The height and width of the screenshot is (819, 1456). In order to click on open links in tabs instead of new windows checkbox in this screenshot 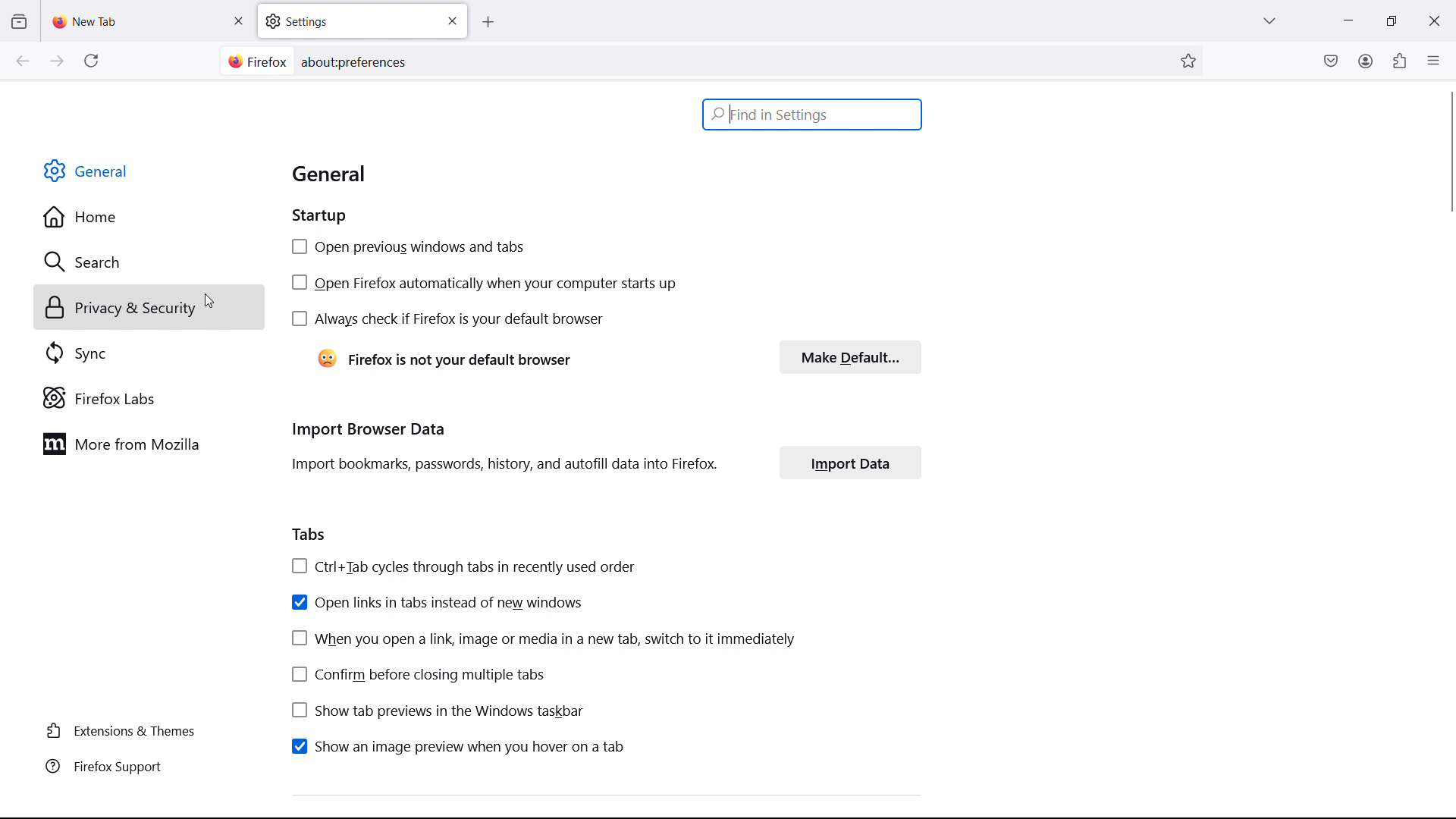, I will do `click(436, 603)`.